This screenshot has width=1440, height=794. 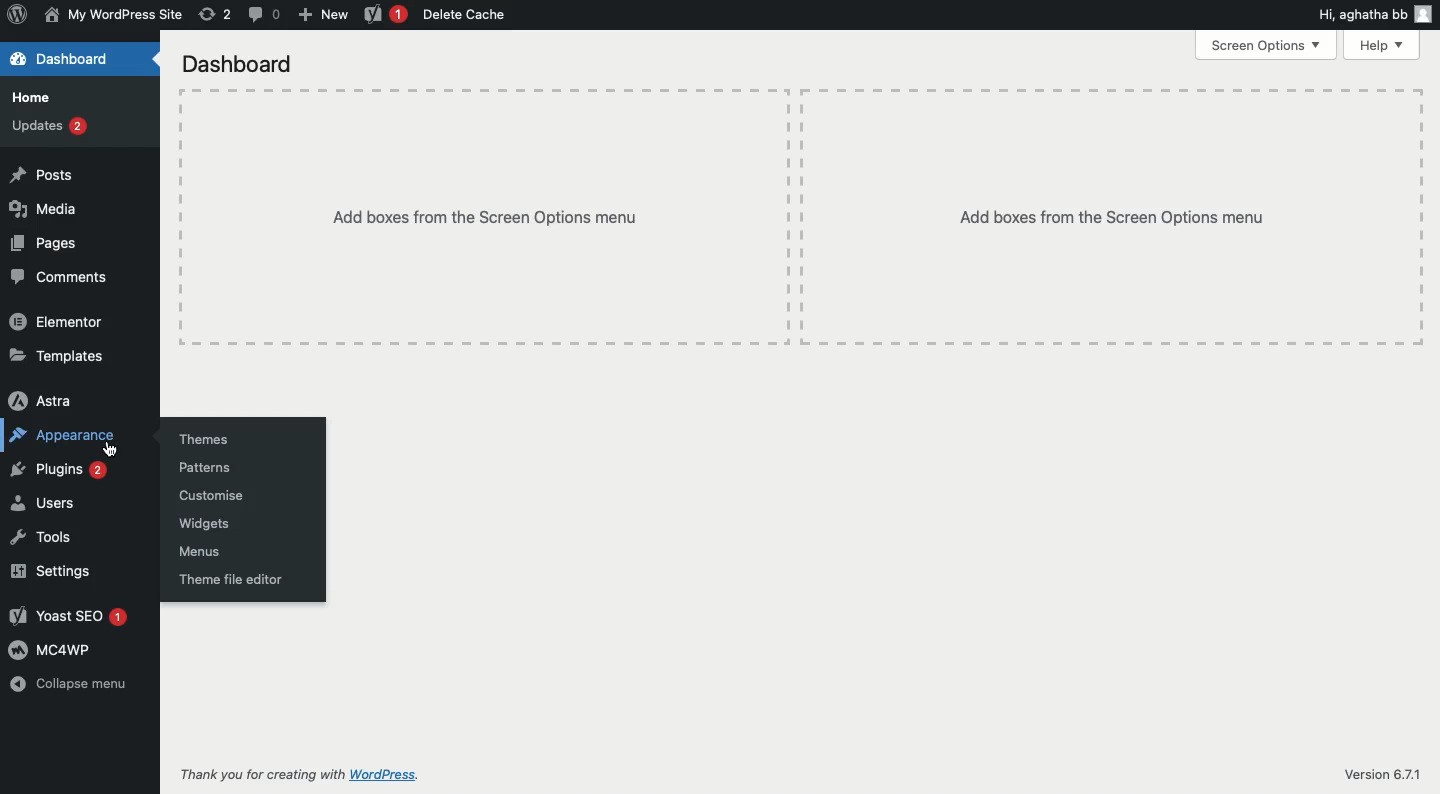 What do you see at coordinates (19, 13) in the screenshot?
I see `Logo` at bounding box center [19, 13].